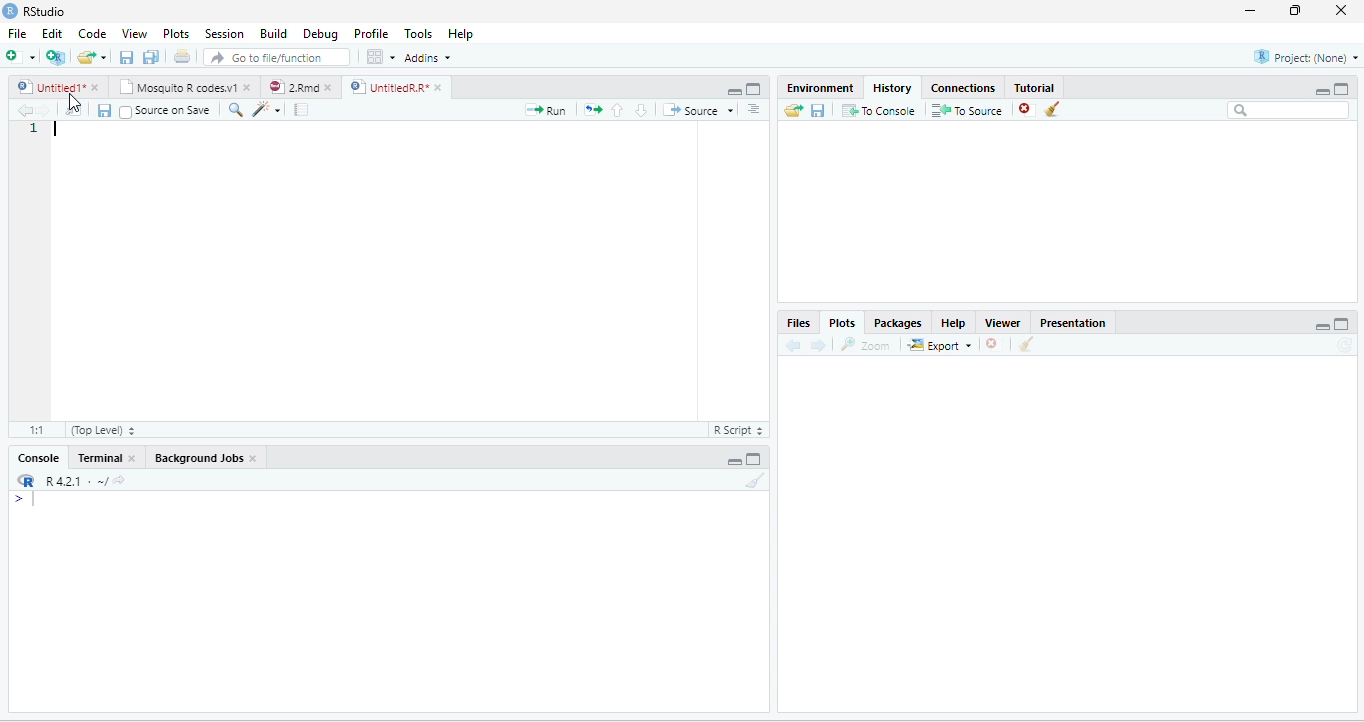  I want to click on Remove the selected history entries, so click(1027, 110).